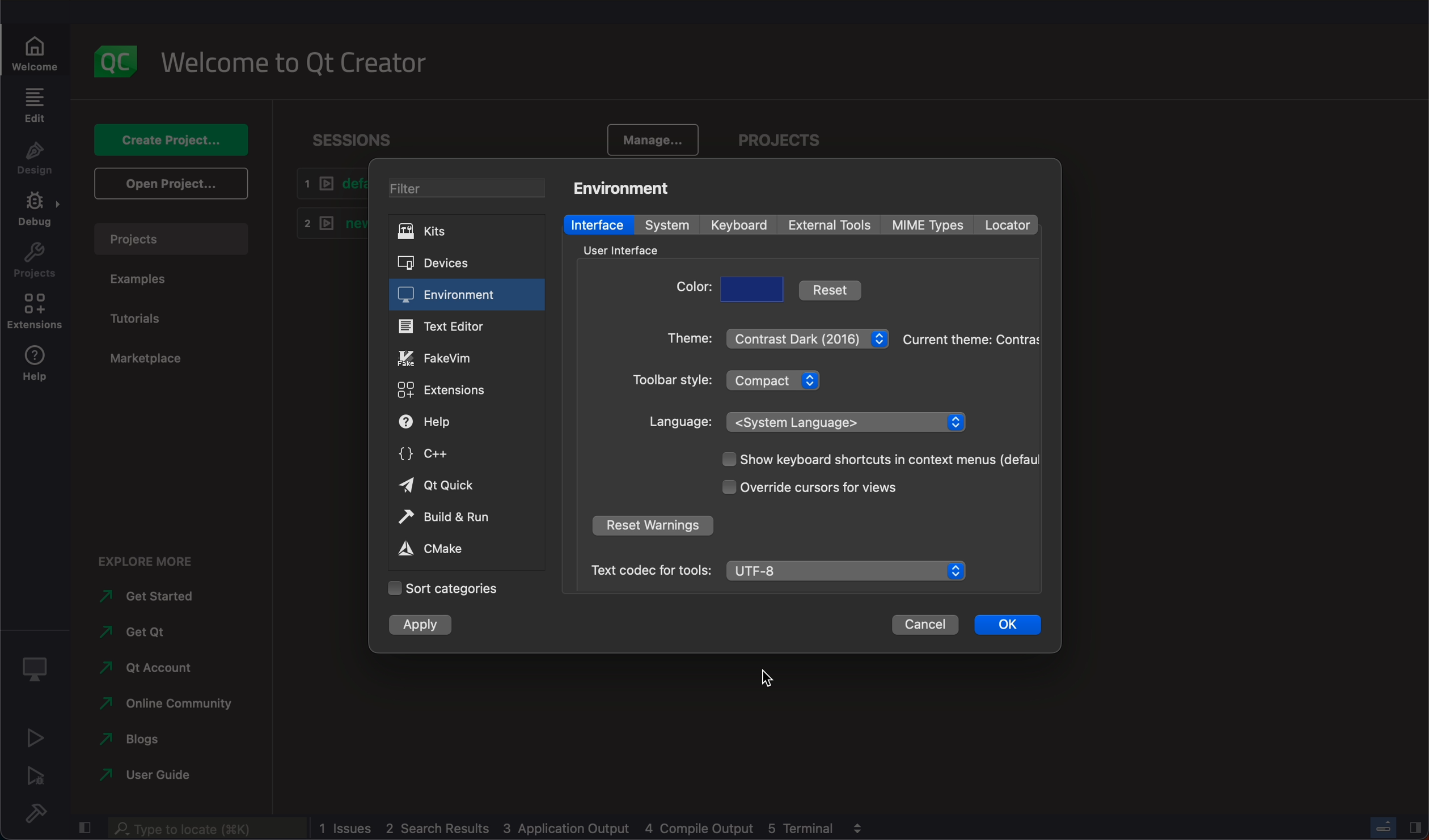 This screenshot has width=1429, height=840. What do you see at coordinates (785, 135) in the screenshot?
I see `projects` at bounding box center [785, 135].